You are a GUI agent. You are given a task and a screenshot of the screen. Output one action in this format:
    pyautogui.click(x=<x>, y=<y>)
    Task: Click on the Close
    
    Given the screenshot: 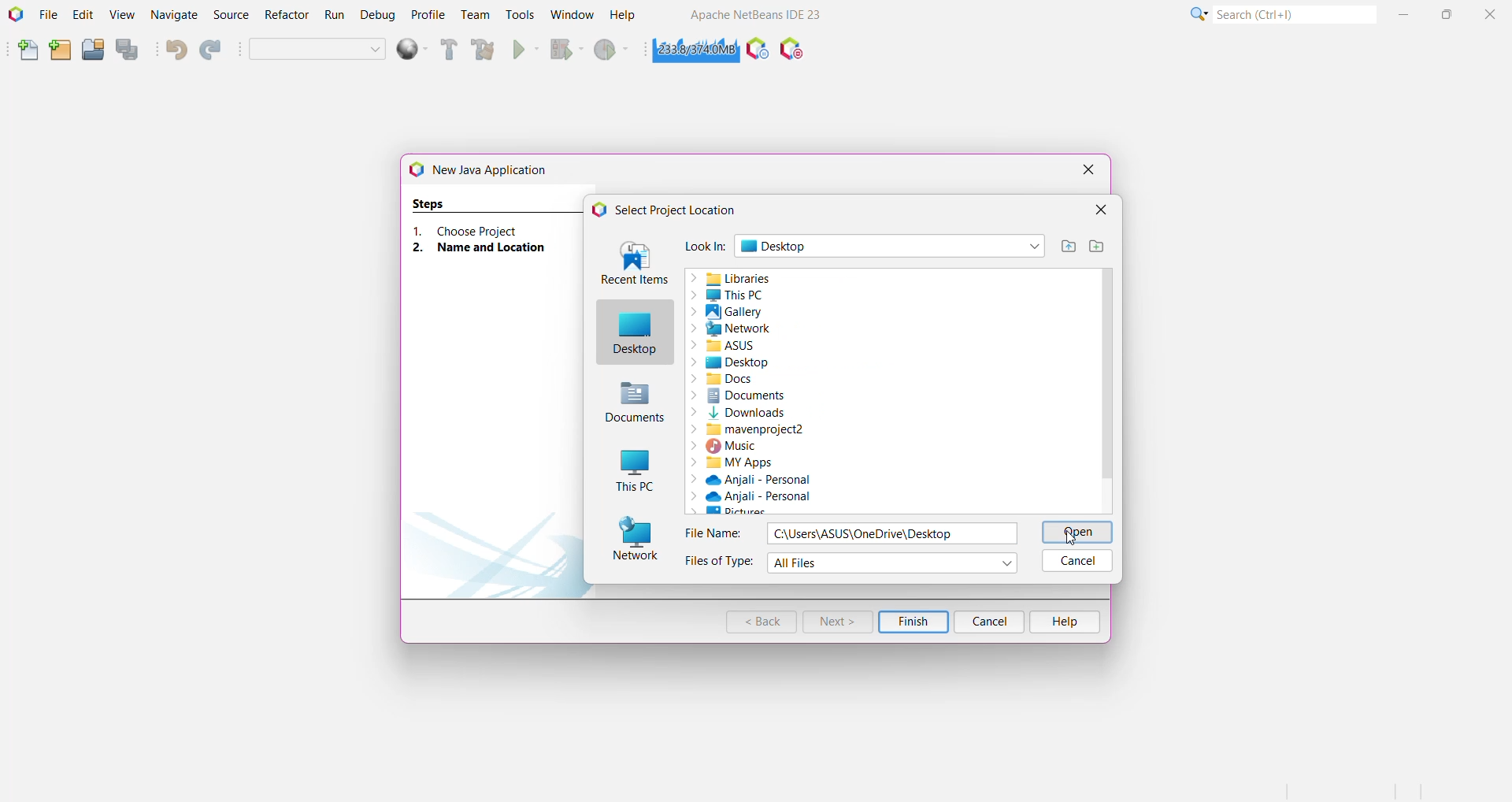 What is the action you would take?
    pyautogui.click(x=1100, y=210)
    